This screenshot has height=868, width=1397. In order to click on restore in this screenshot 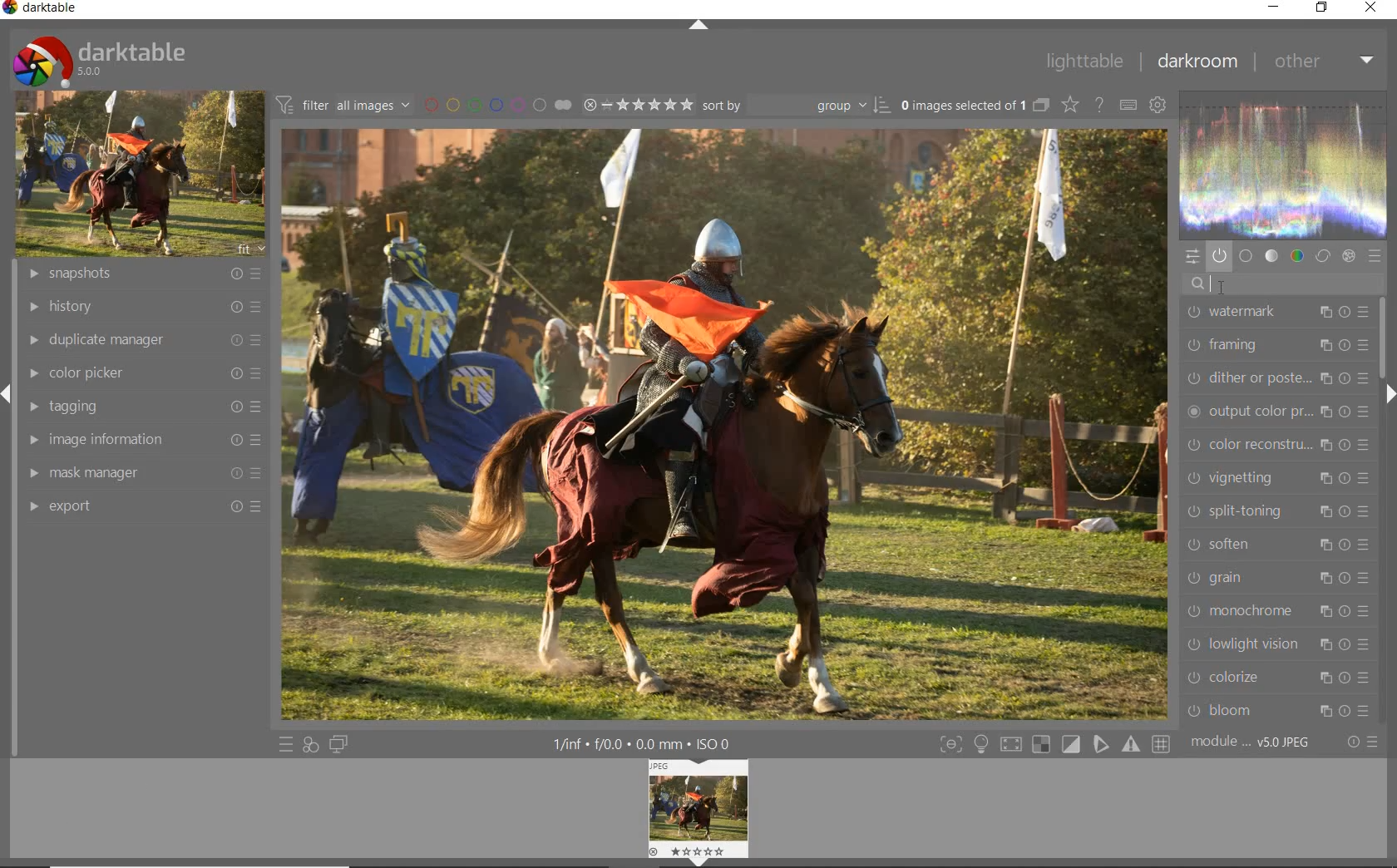, I will do `click(1322, 7)`.